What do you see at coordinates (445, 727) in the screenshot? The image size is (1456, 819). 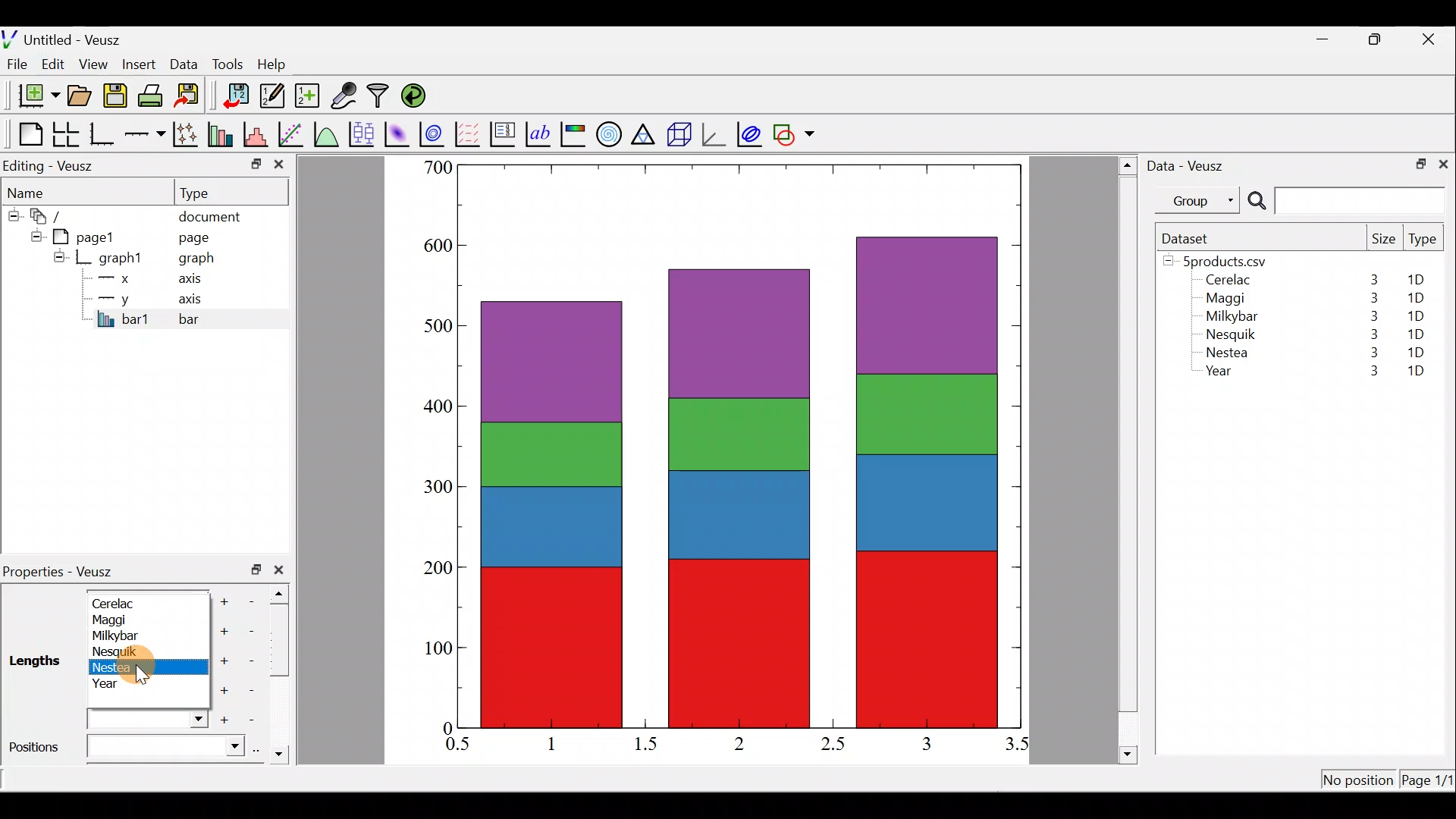 I see `0` at bounding box center [445, 727].